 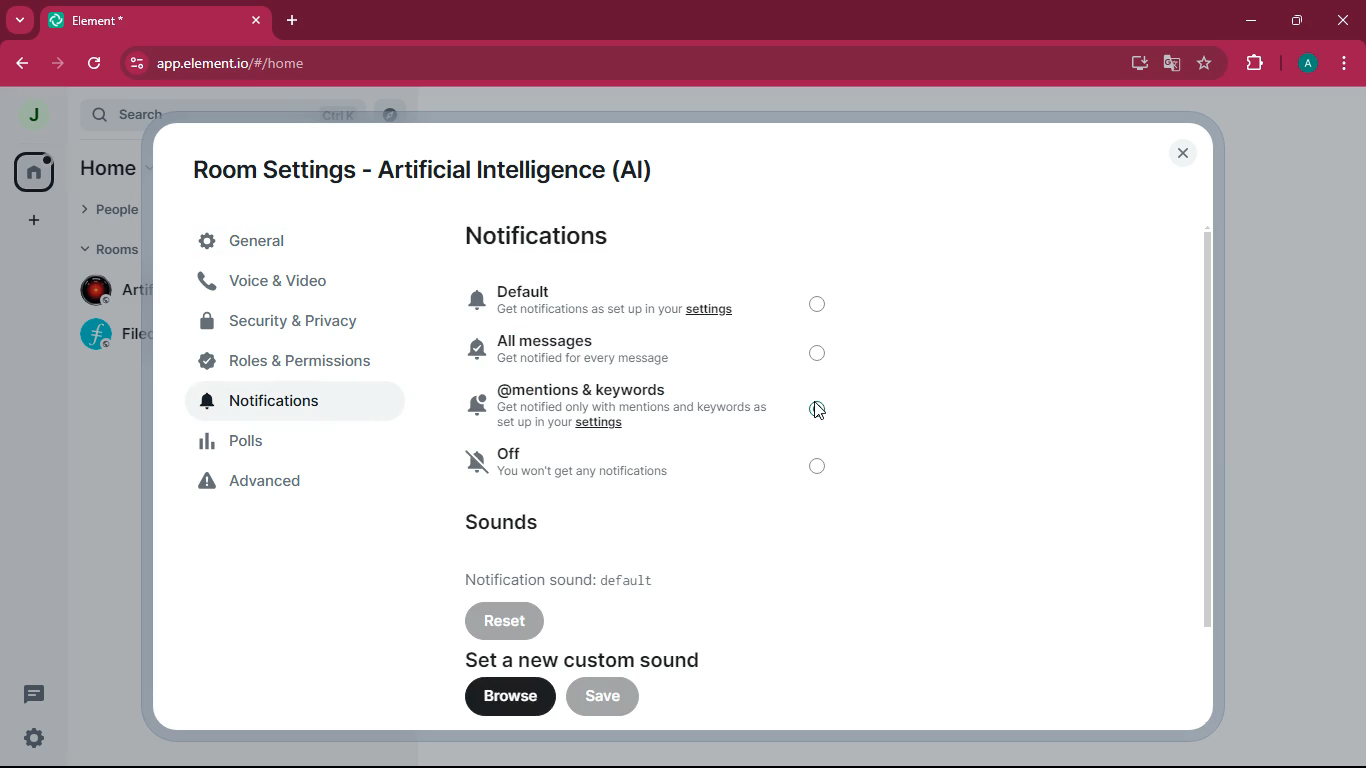 What do you see at coordinates (511, 698) in the screenshot?
I see `browse` at bounding box center [511, 698].